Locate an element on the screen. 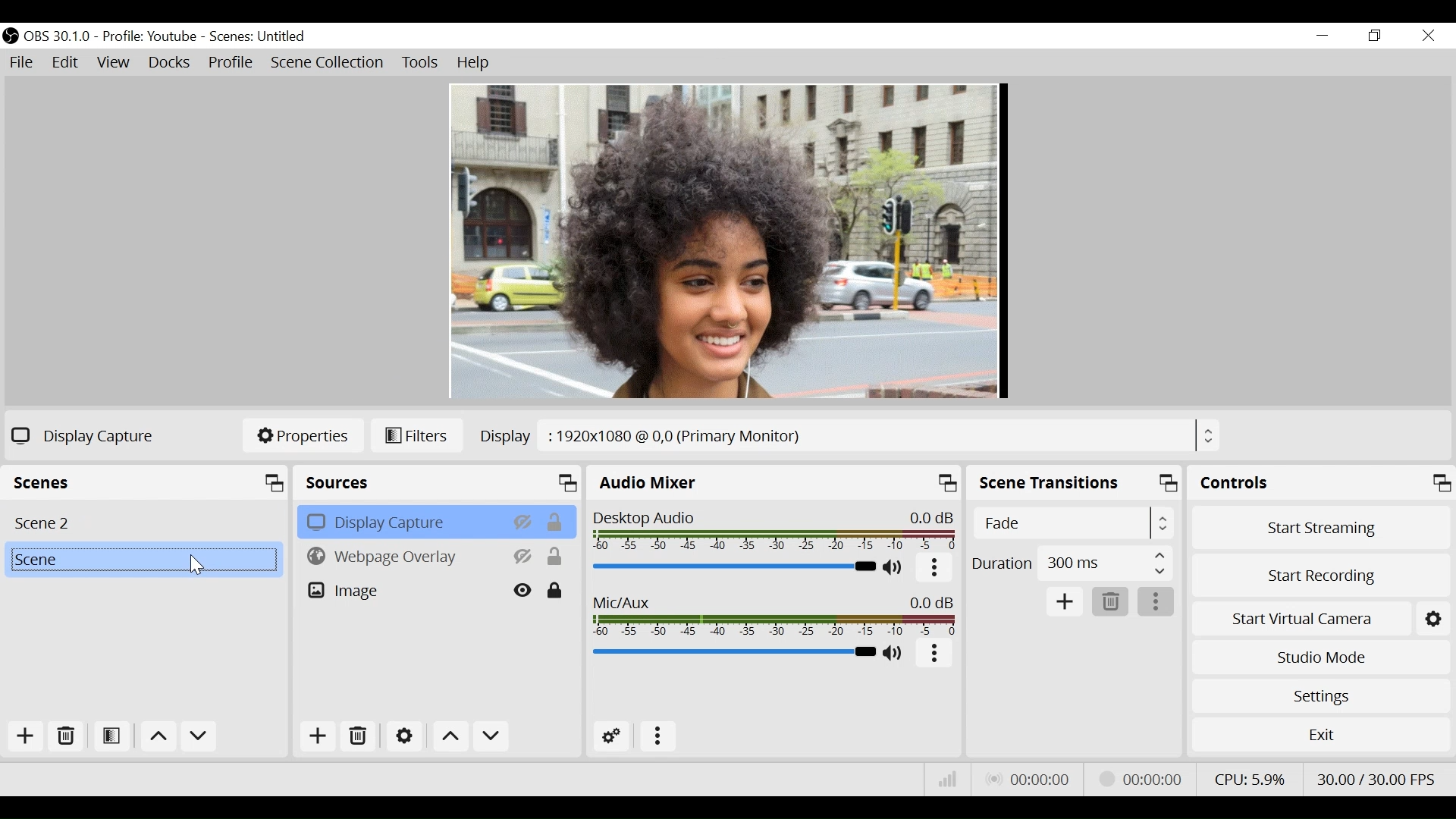 The height and width of the screenshot is (819, 1456). (un)mute is located at coordinates (895, 569).